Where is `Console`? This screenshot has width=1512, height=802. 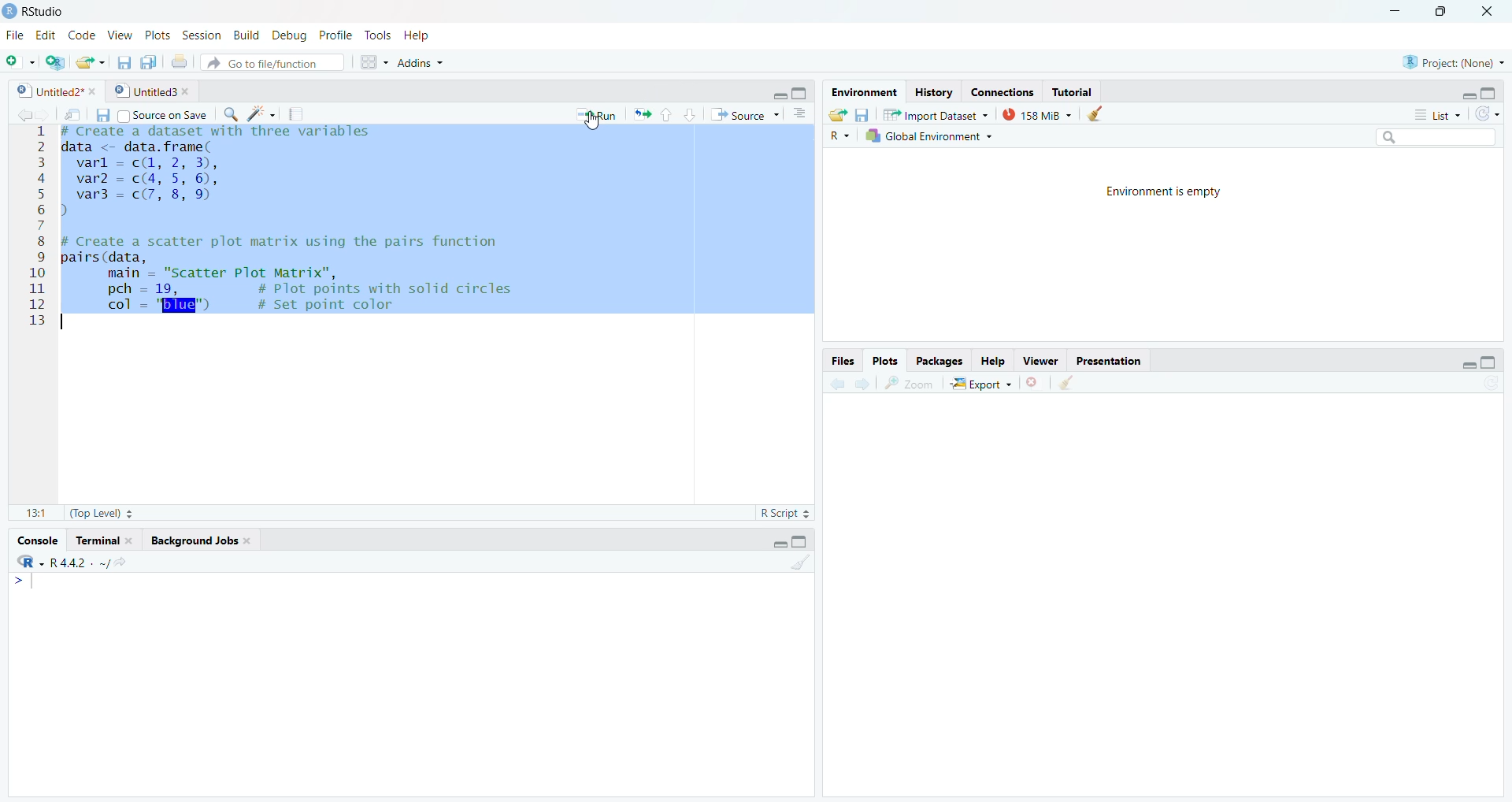 Console is located at coordinates (415, 684).